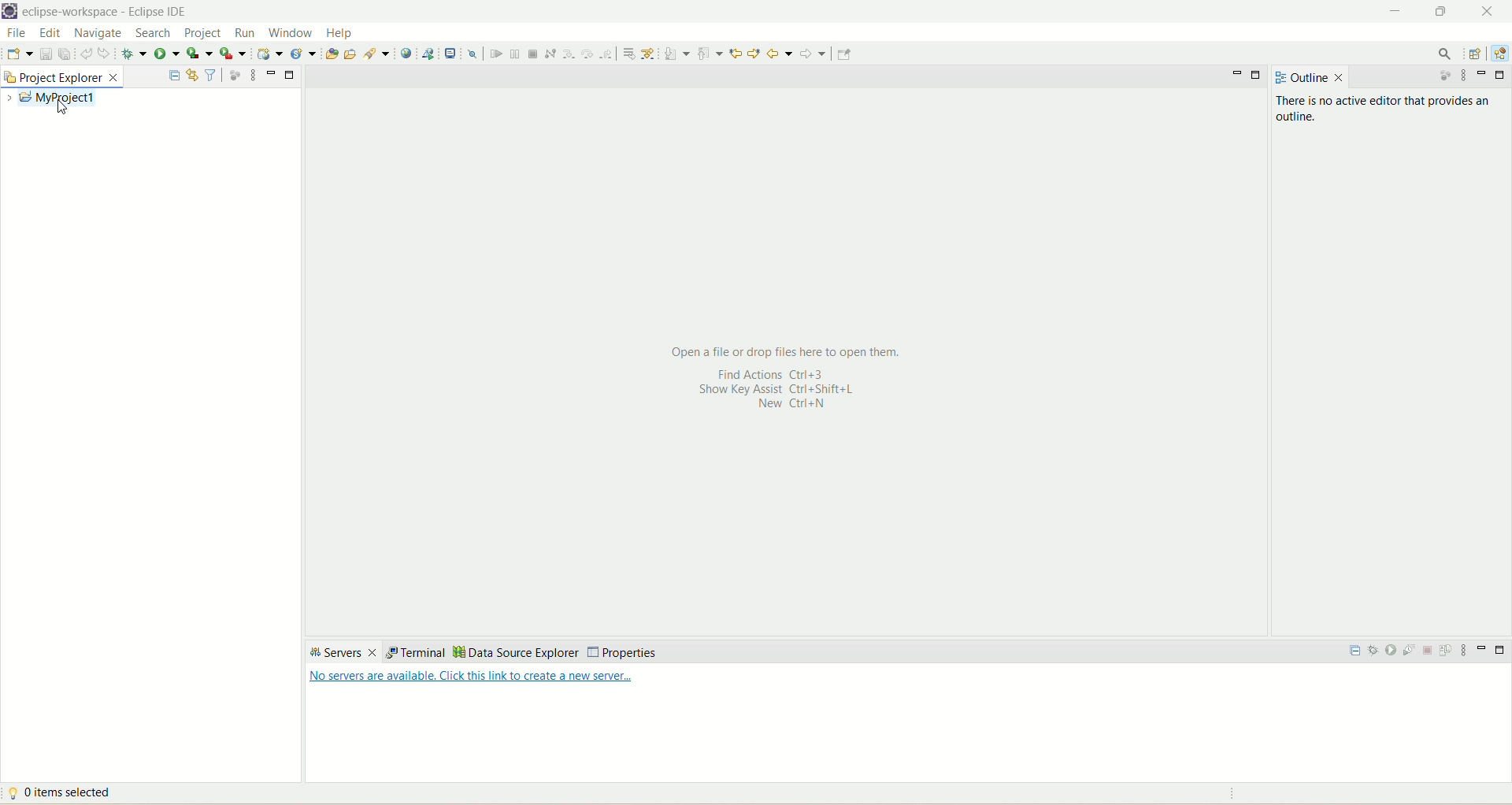 Image resolution: width=1512 pixels, height=805 pixels. I want to click on previous annotation, so click(710, 54).